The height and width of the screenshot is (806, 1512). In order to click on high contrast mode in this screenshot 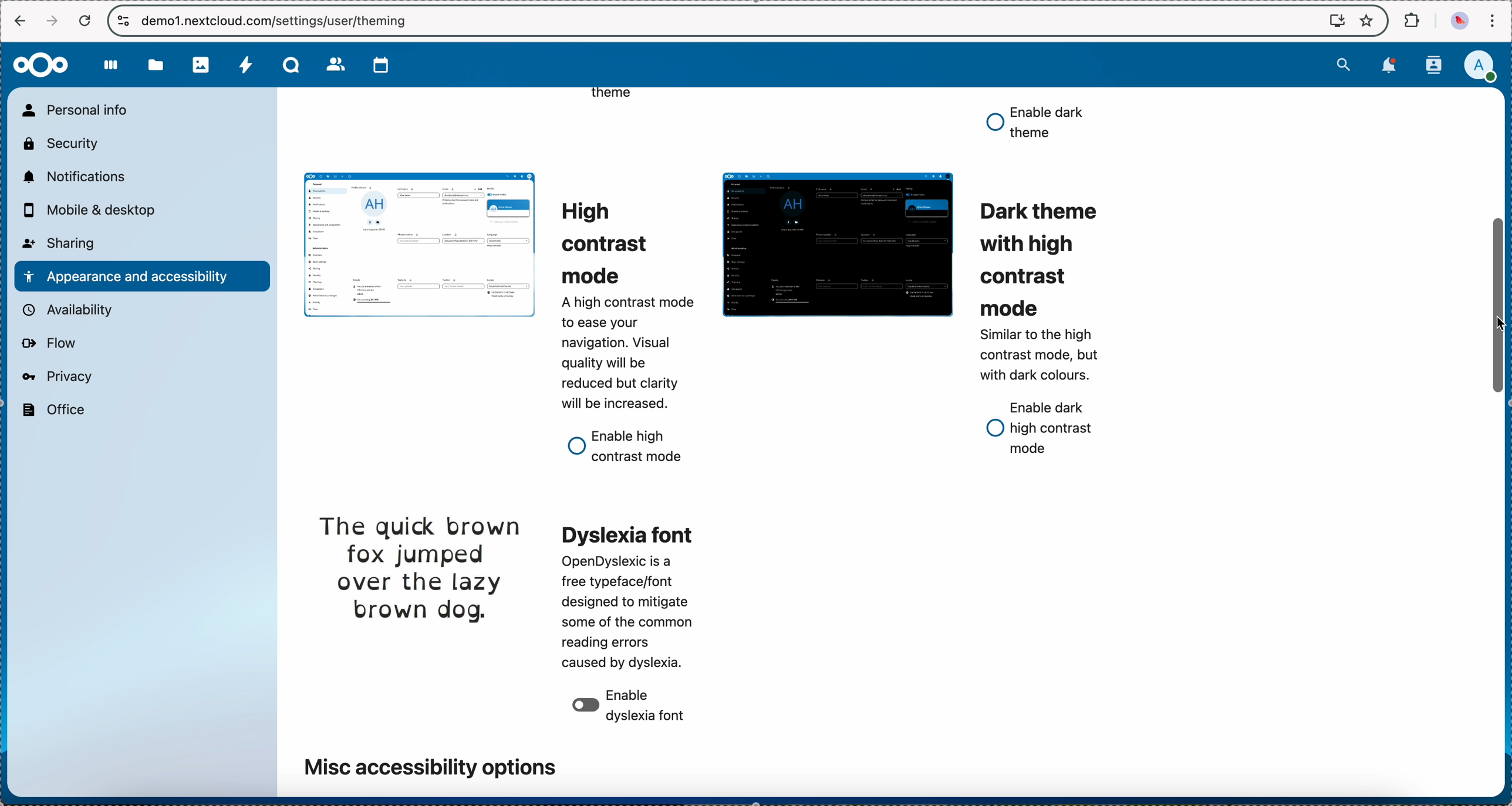, I will do `click(613, 241)`.